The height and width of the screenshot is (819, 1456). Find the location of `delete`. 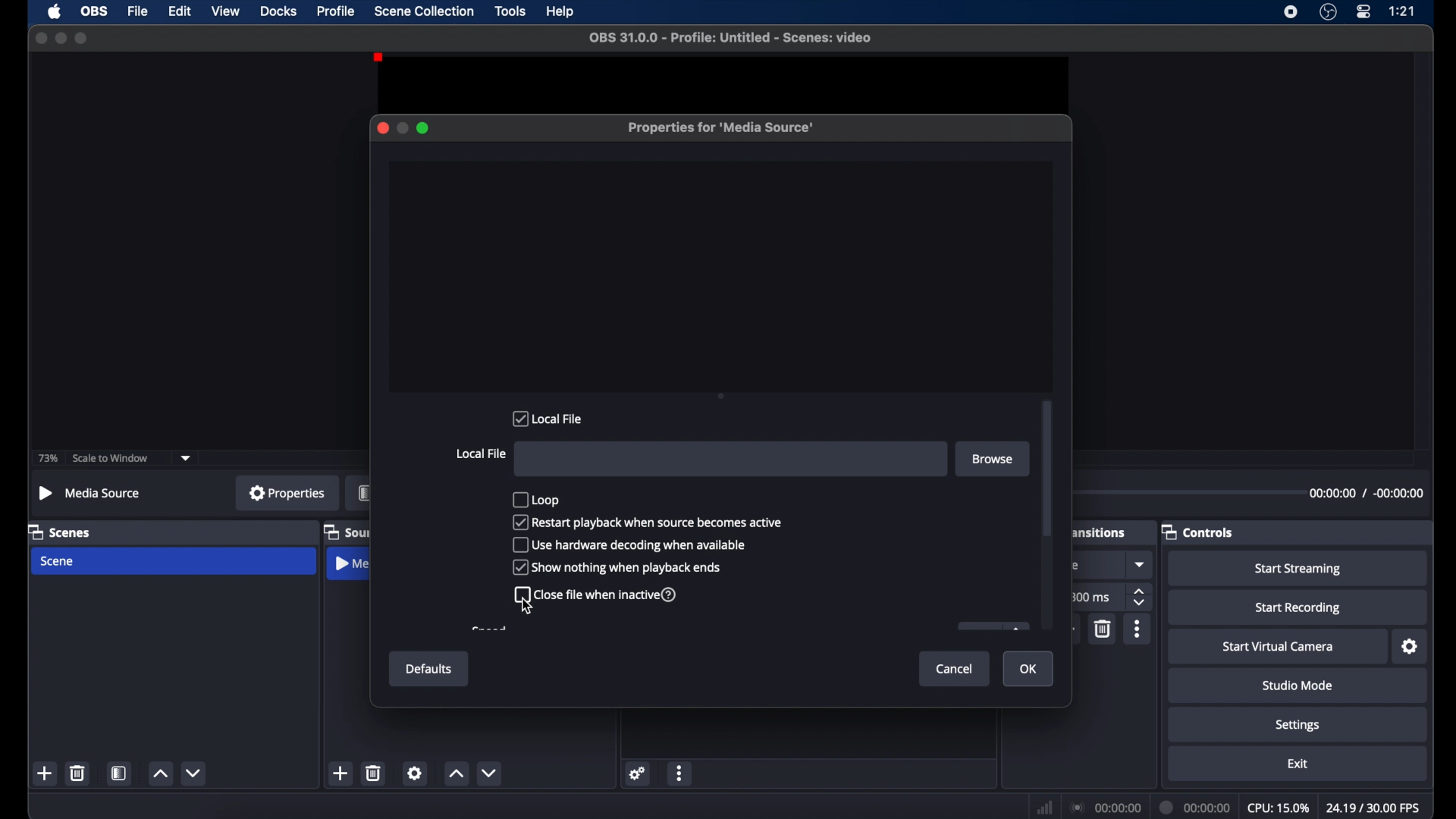

delete is located at coordinates (373, 772).